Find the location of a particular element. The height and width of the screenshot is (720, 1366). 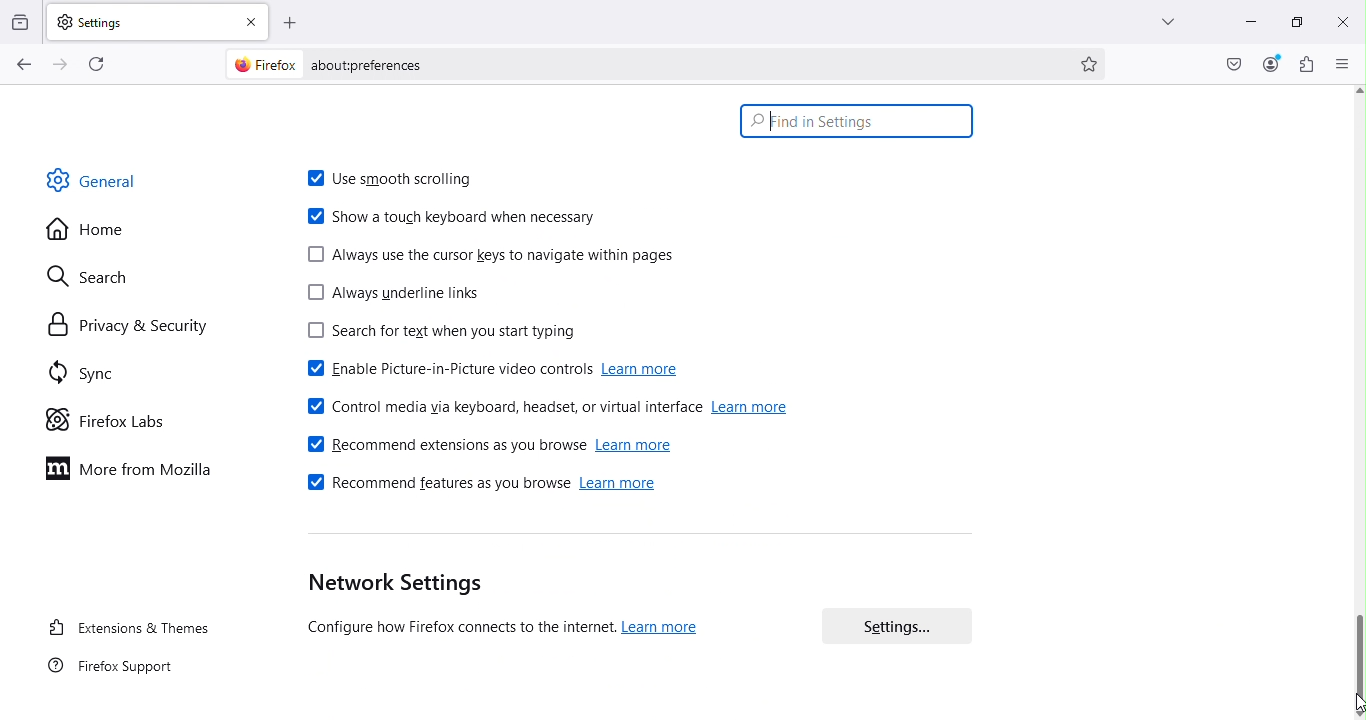

Maximize tab is located at coordinates (1293, 19).